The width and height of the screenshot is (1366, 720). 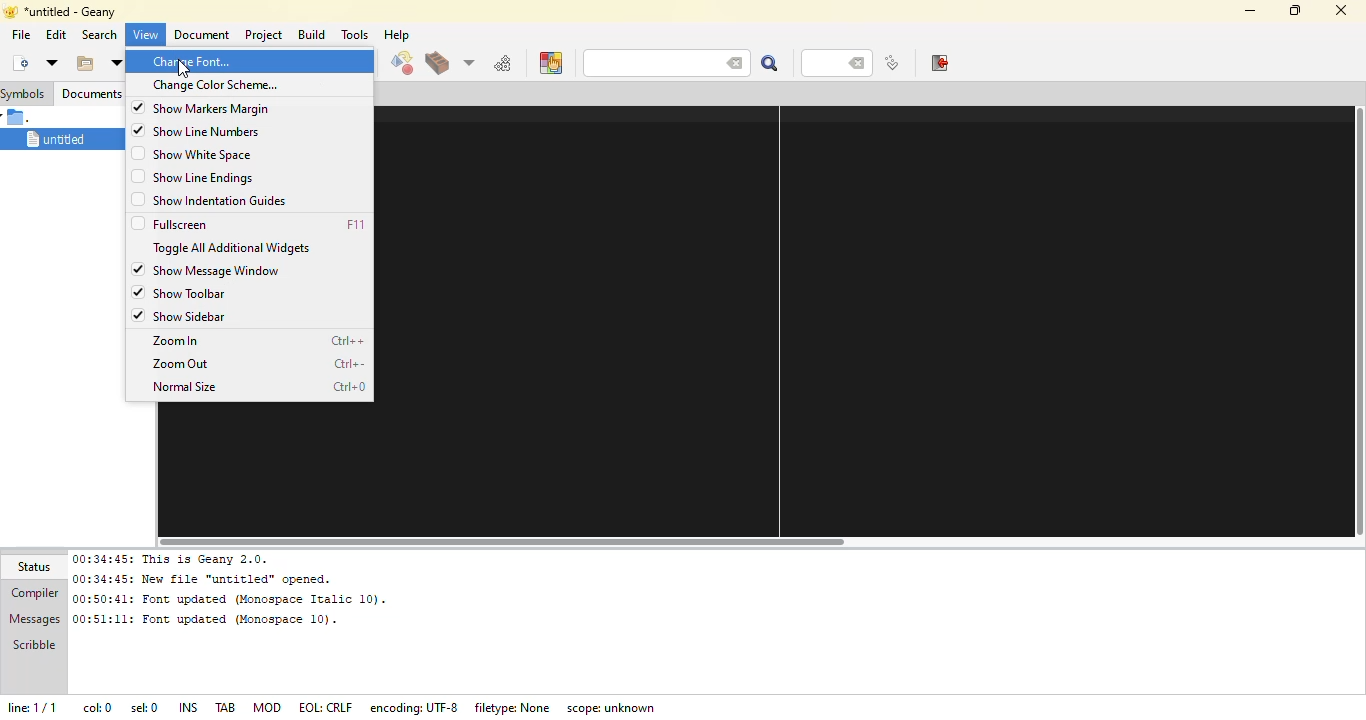 What do you see at coordinates (135, 177) in the screenshot?
I see `click to enable` at bounding box center [135, 177].